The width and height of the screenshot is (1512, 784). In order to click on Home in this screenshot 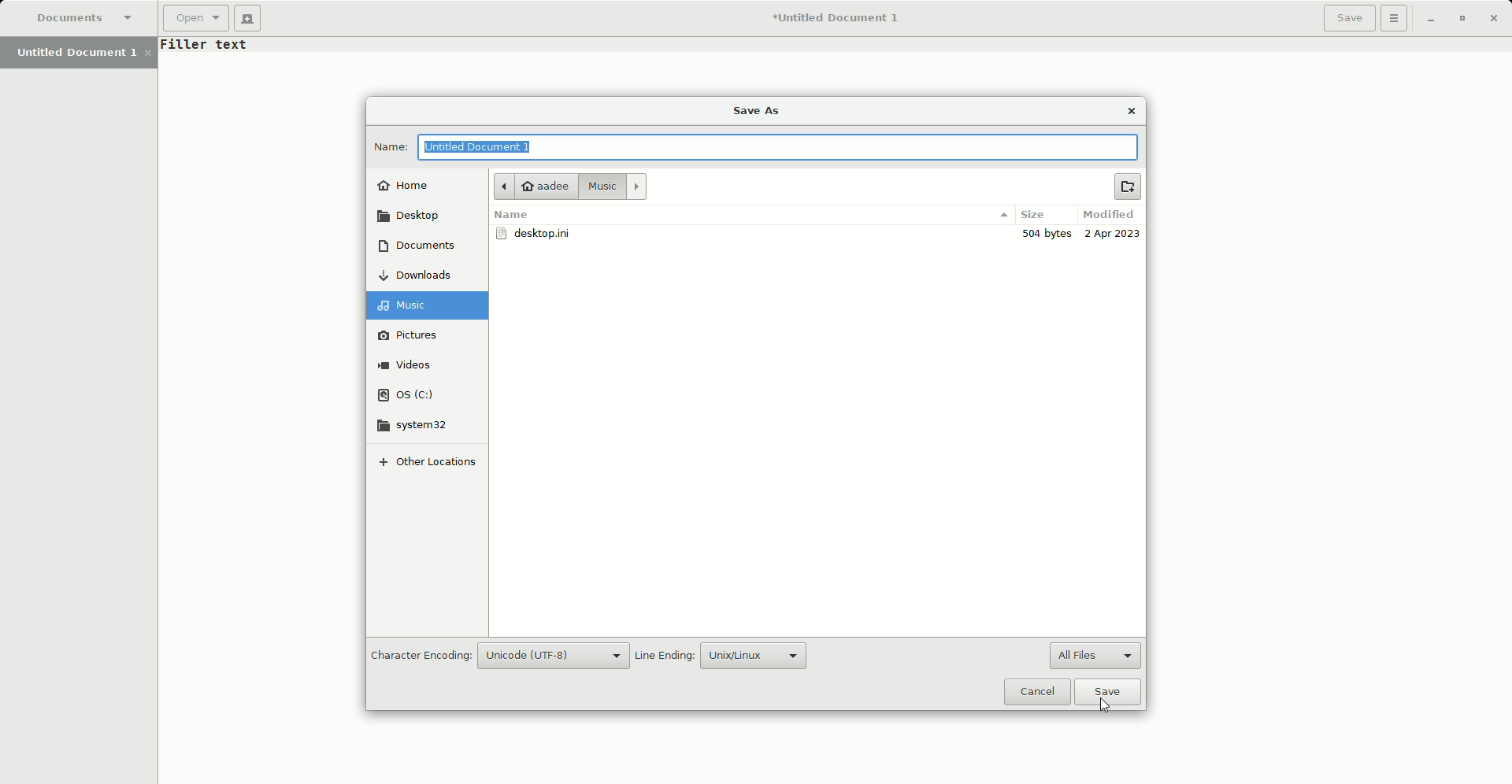, I will do `click(409, 186)`.